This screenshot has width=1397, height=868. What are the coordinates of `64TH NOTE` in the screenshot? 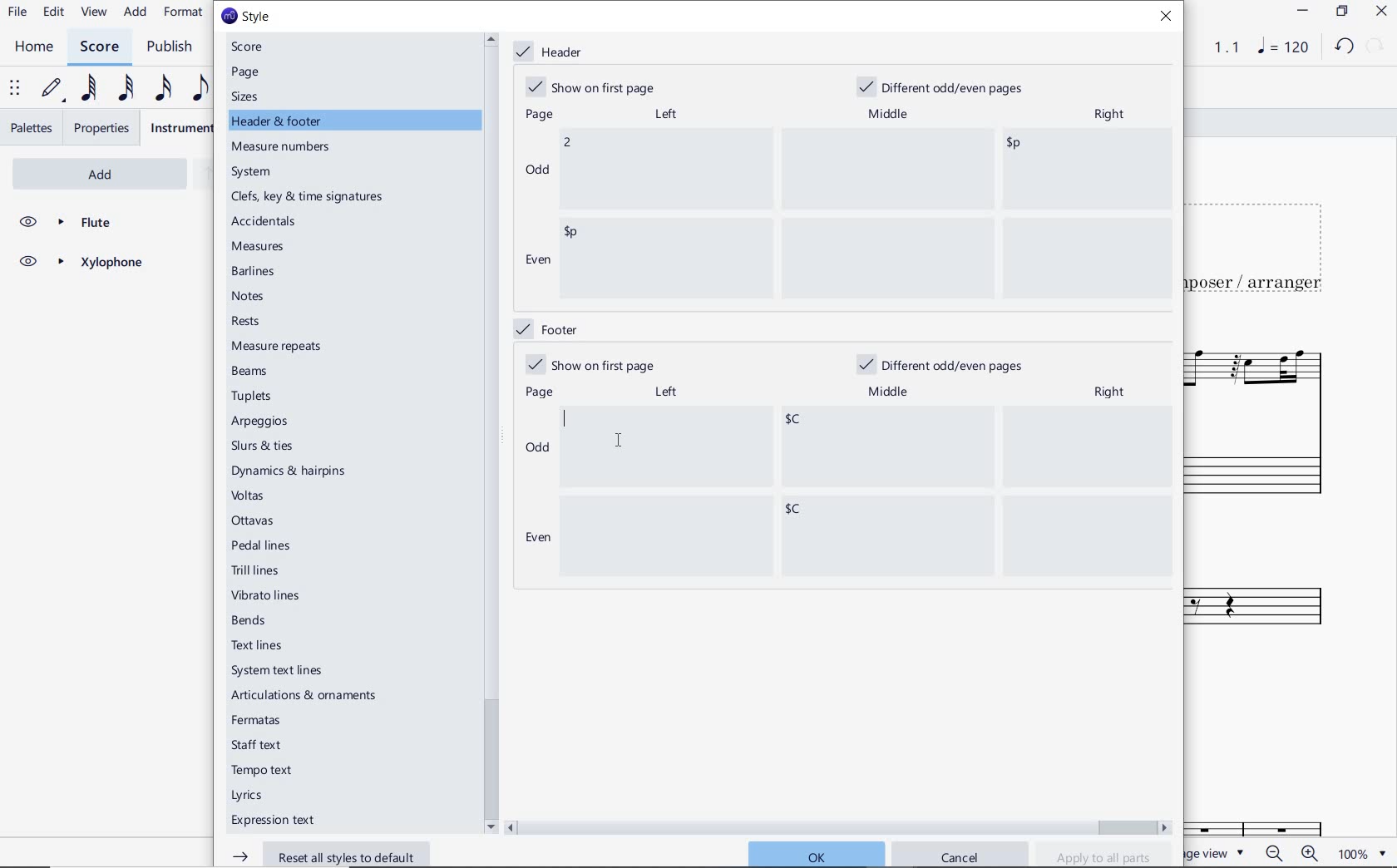 It's located at (86, 89).